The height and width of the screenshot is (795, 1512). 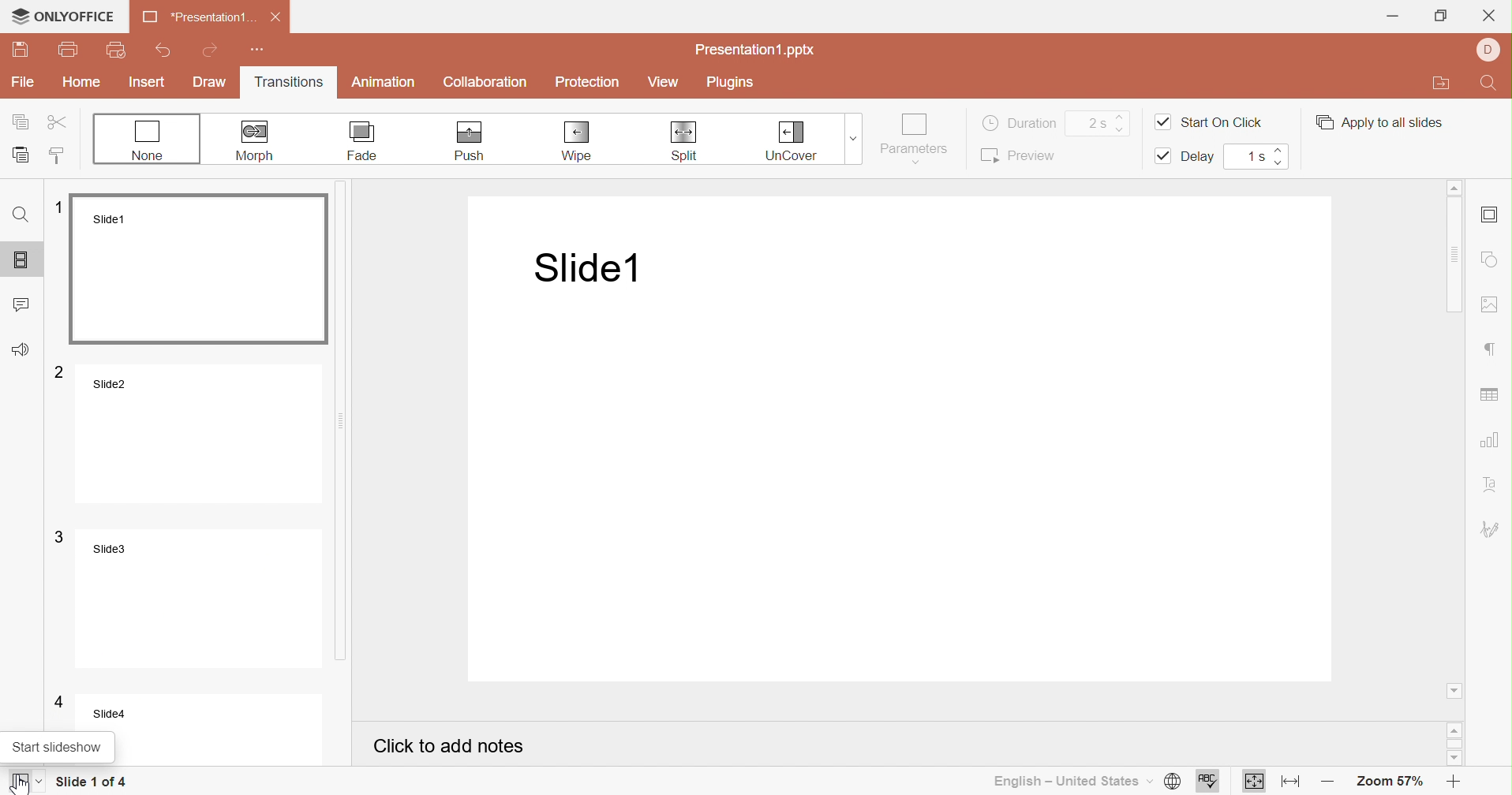 What do you see at coordinates (1209, 121) in the screenshot?
I see `Start On Click` at bounding box center [1209, 121].